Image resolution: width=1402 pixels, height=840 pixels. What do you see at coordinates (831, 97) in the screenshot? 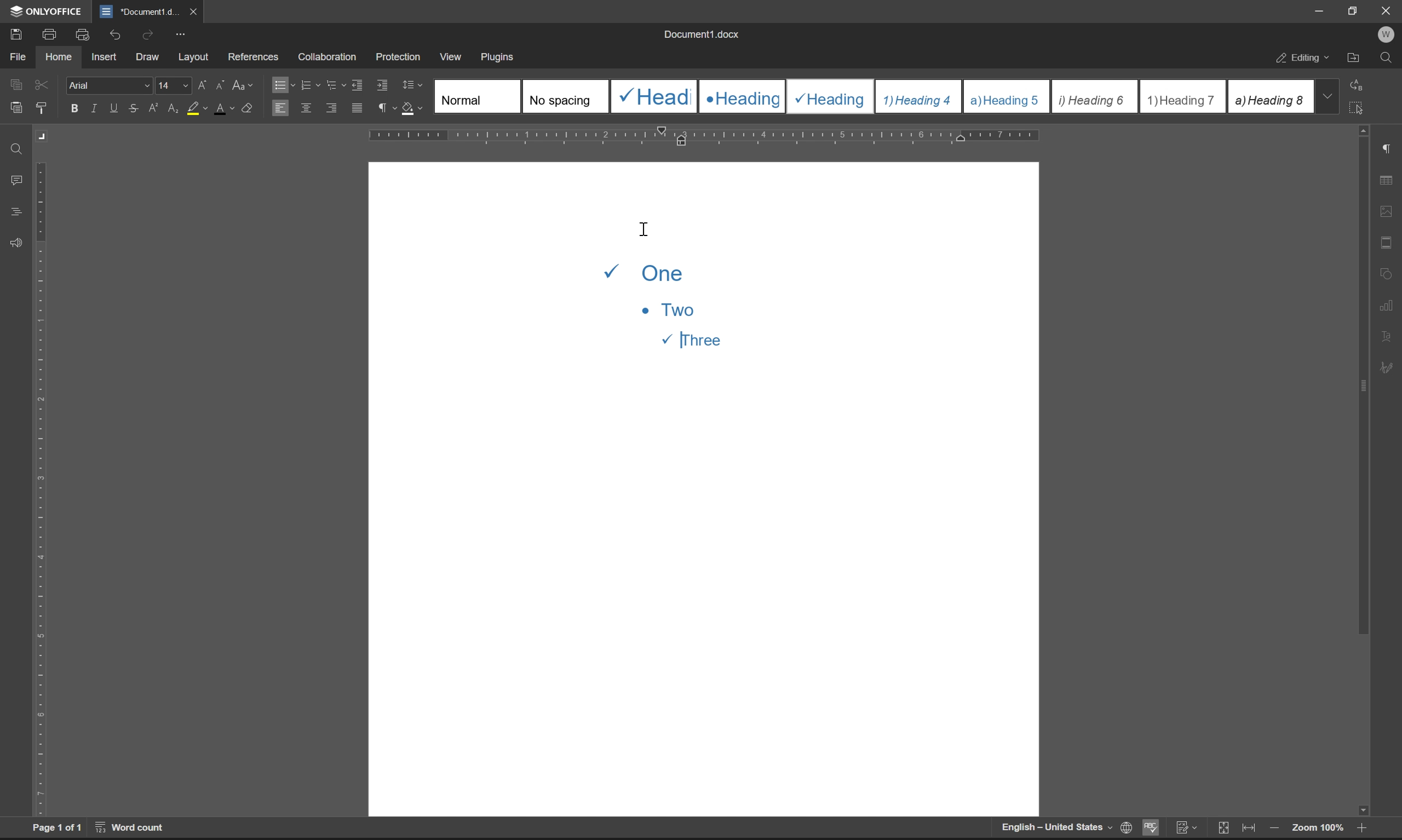
I see `Heading 3` at bounding box center [831, 97].